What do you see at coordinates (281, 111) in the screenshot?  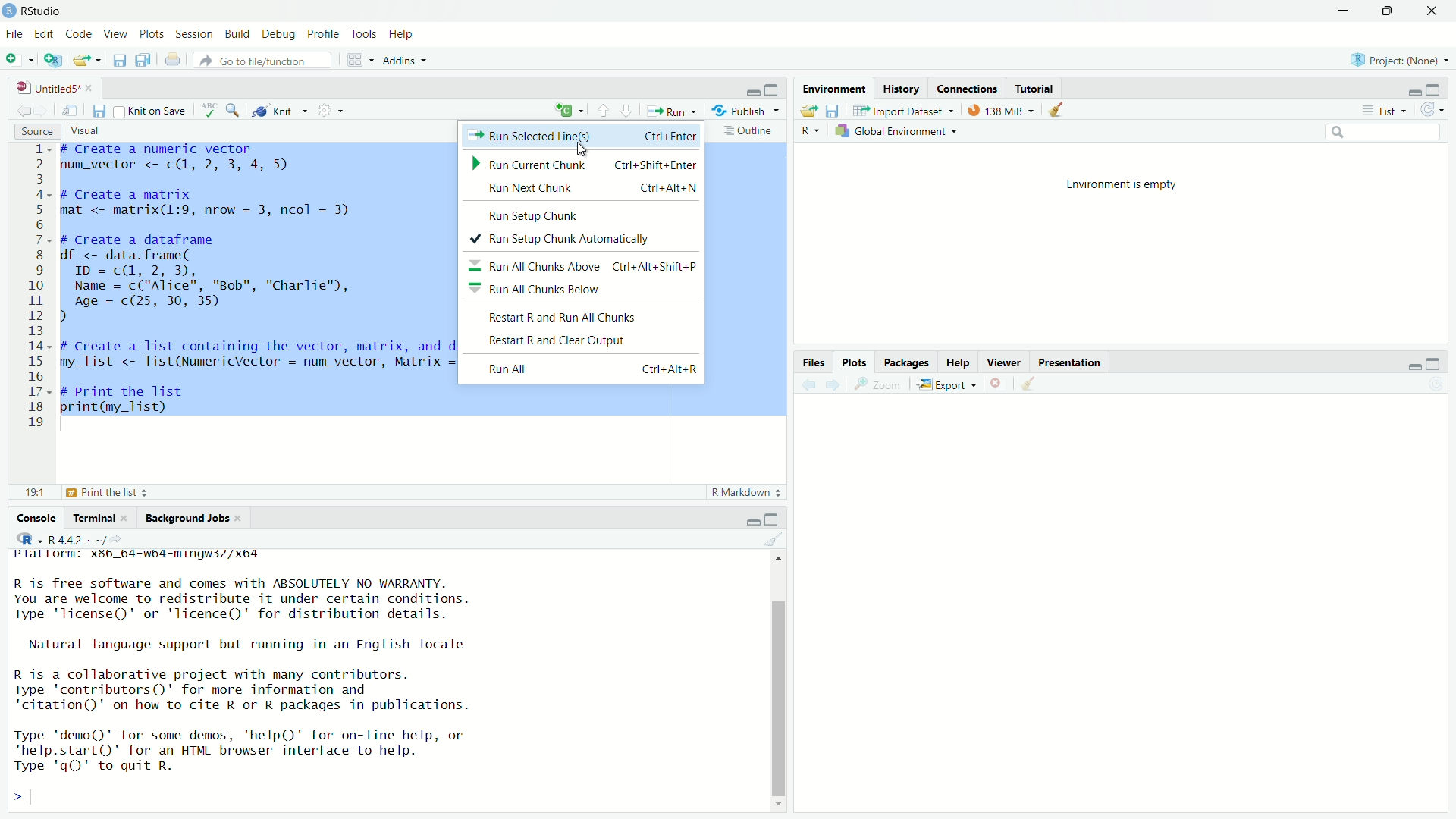 I see `Knit` at bounding box center [281, 111].